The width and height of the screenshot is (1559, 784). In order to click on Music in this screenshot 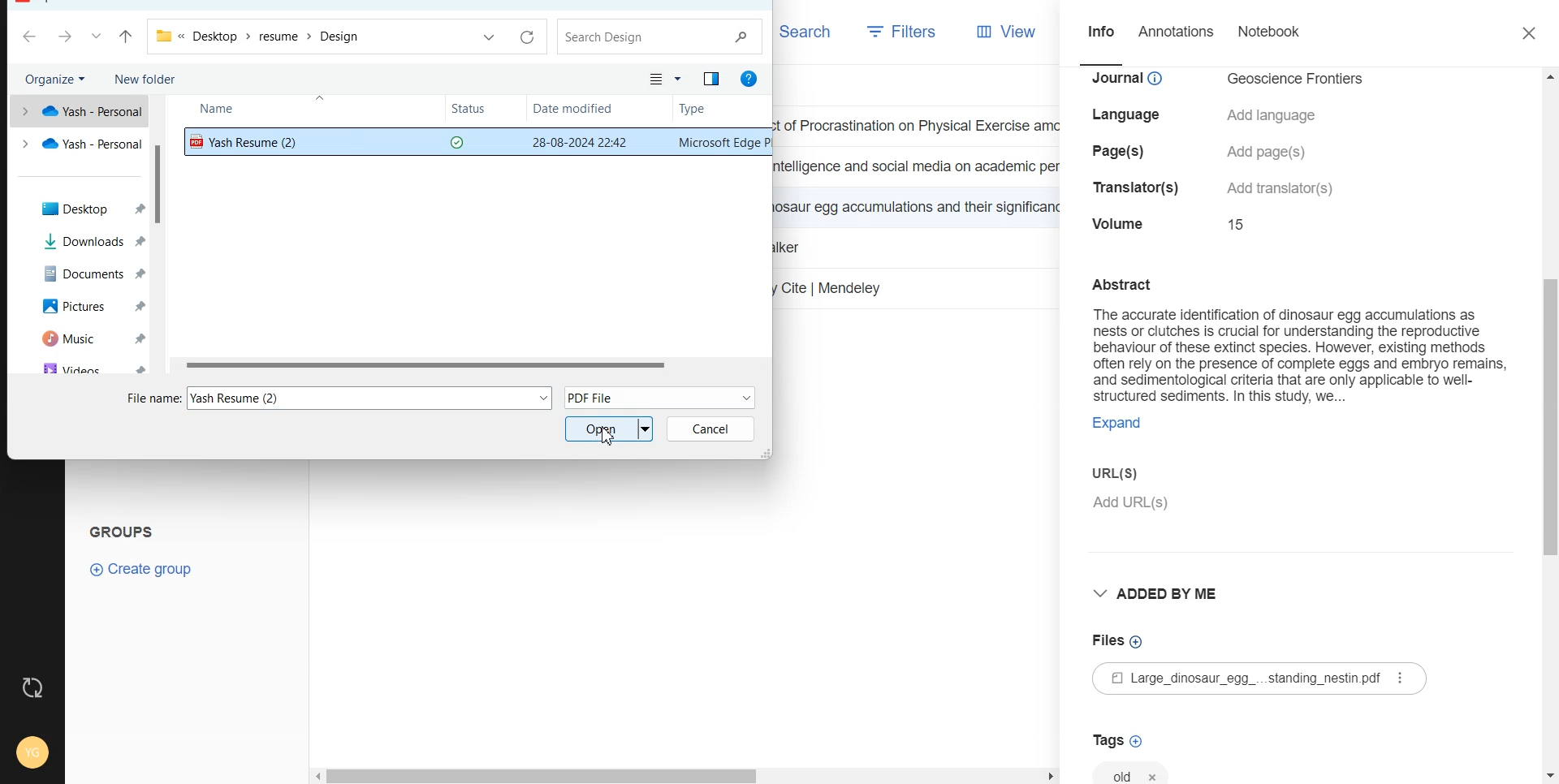, I will do `click(79, 338)`.